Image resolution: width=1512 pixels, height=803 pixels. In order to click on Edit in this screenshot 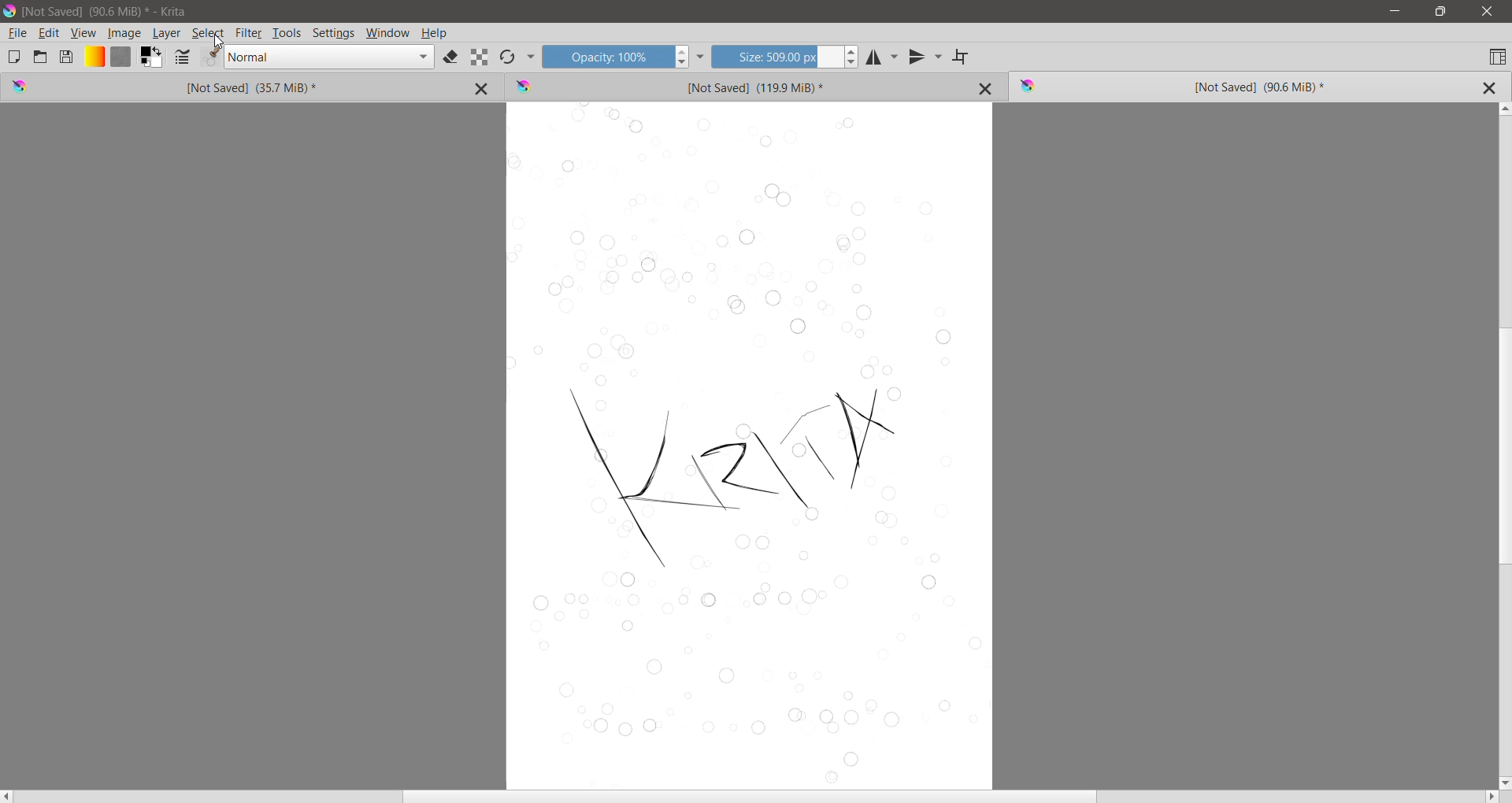, I will do `click(50, 34)`.